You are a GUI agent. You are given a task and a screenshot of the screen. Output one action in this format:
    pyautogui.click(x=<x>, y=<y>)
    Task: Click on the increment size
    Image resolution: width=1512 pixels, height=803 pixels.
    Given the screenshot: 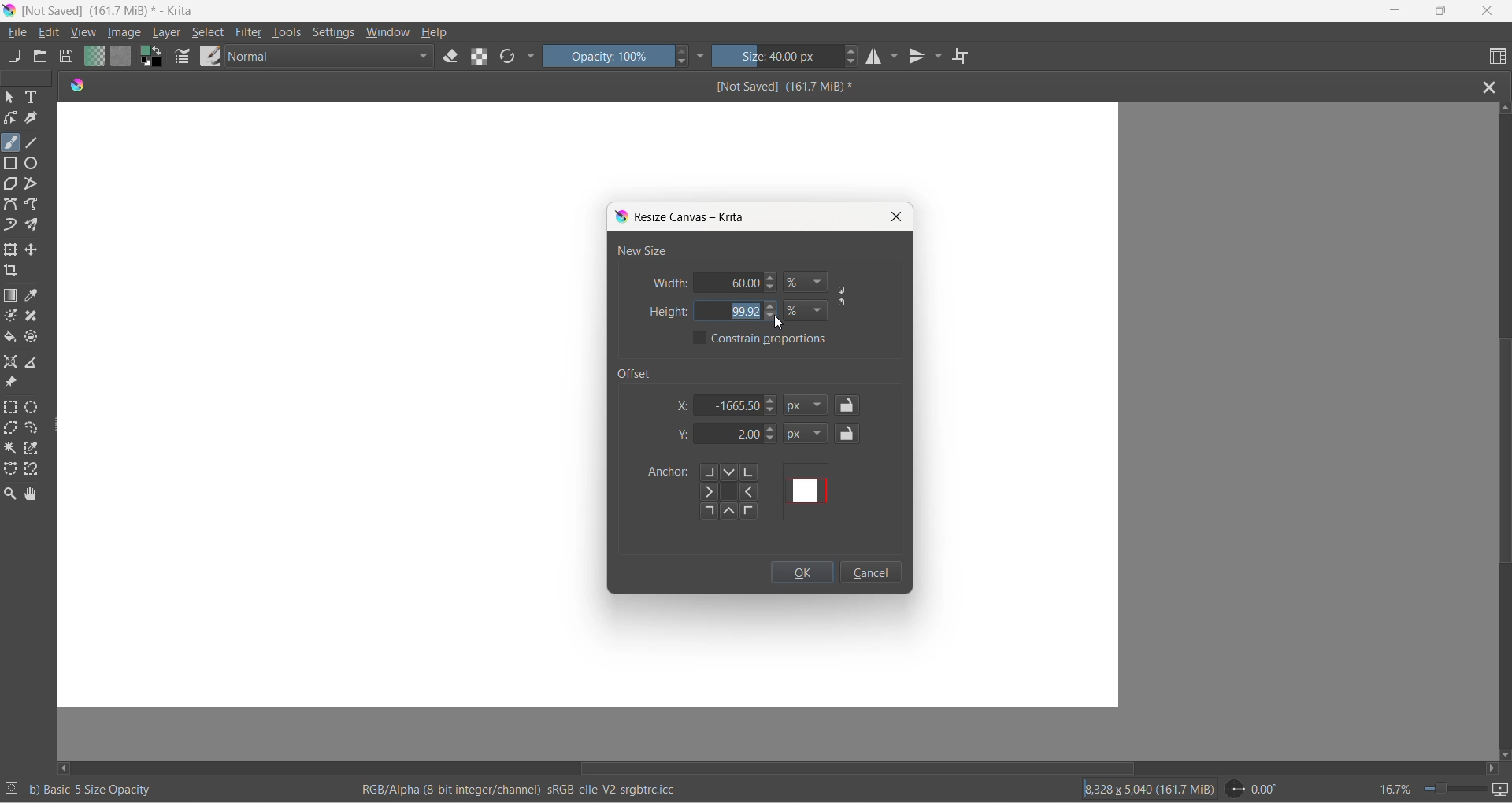 What is the action you would take?
    pyautogui.click(x=853, y=50)
    